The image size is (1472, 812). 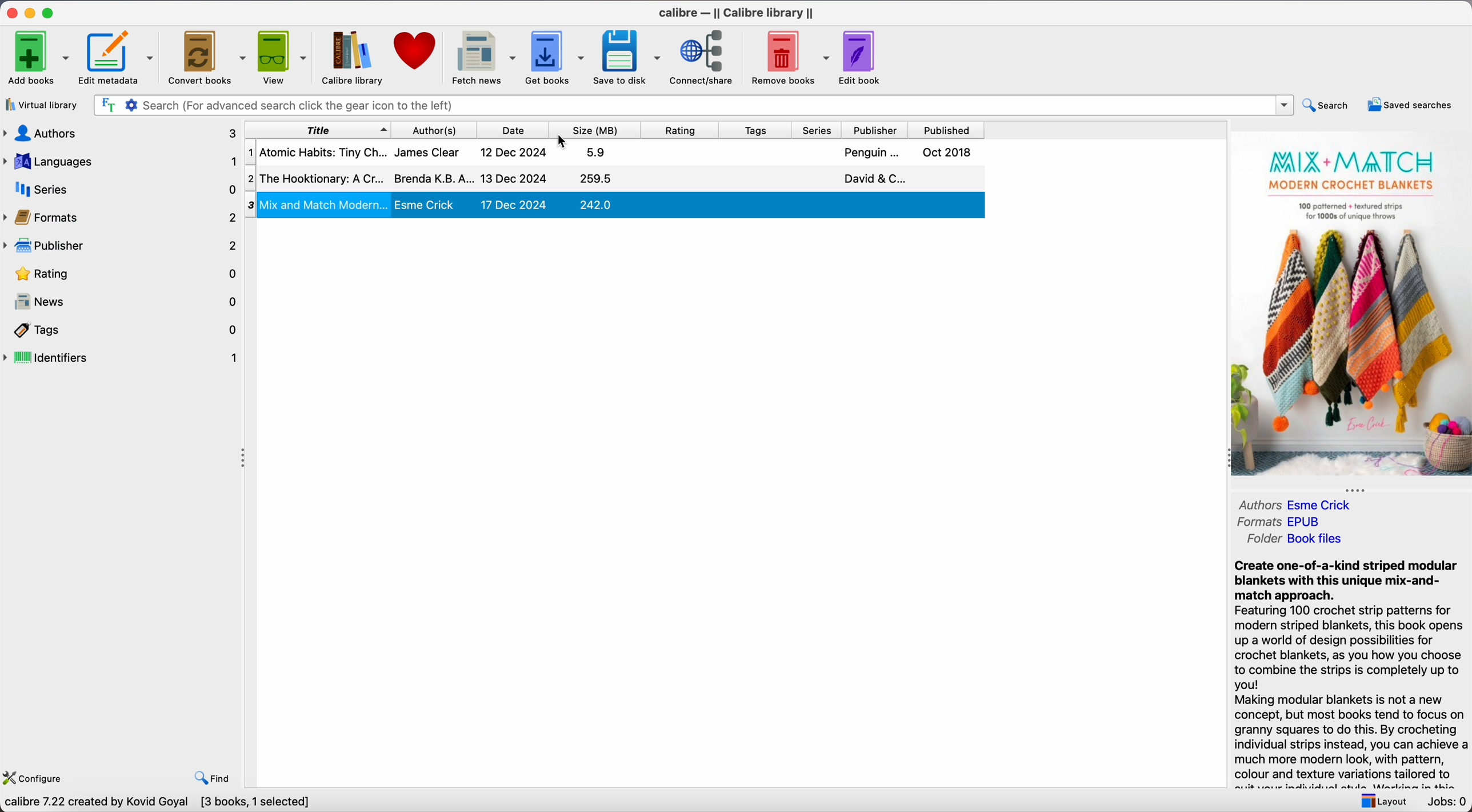 What do you see at coordinates (738, 13) in the screenshot?
I see `Calibre` at bounding box center [738, 13].